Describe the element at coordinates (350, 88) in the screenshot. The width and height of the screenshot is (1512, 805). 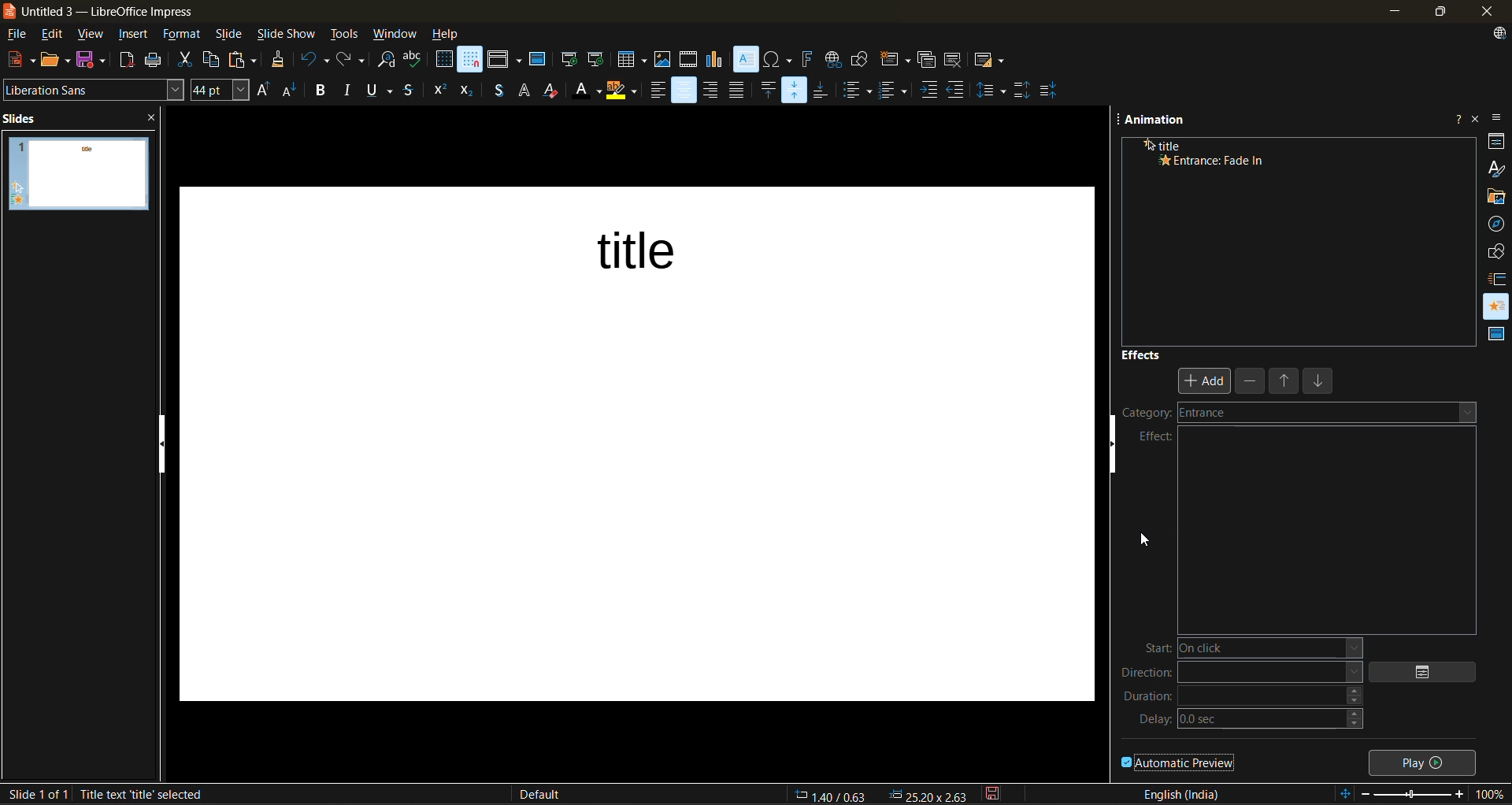
I see `italic` at that location.